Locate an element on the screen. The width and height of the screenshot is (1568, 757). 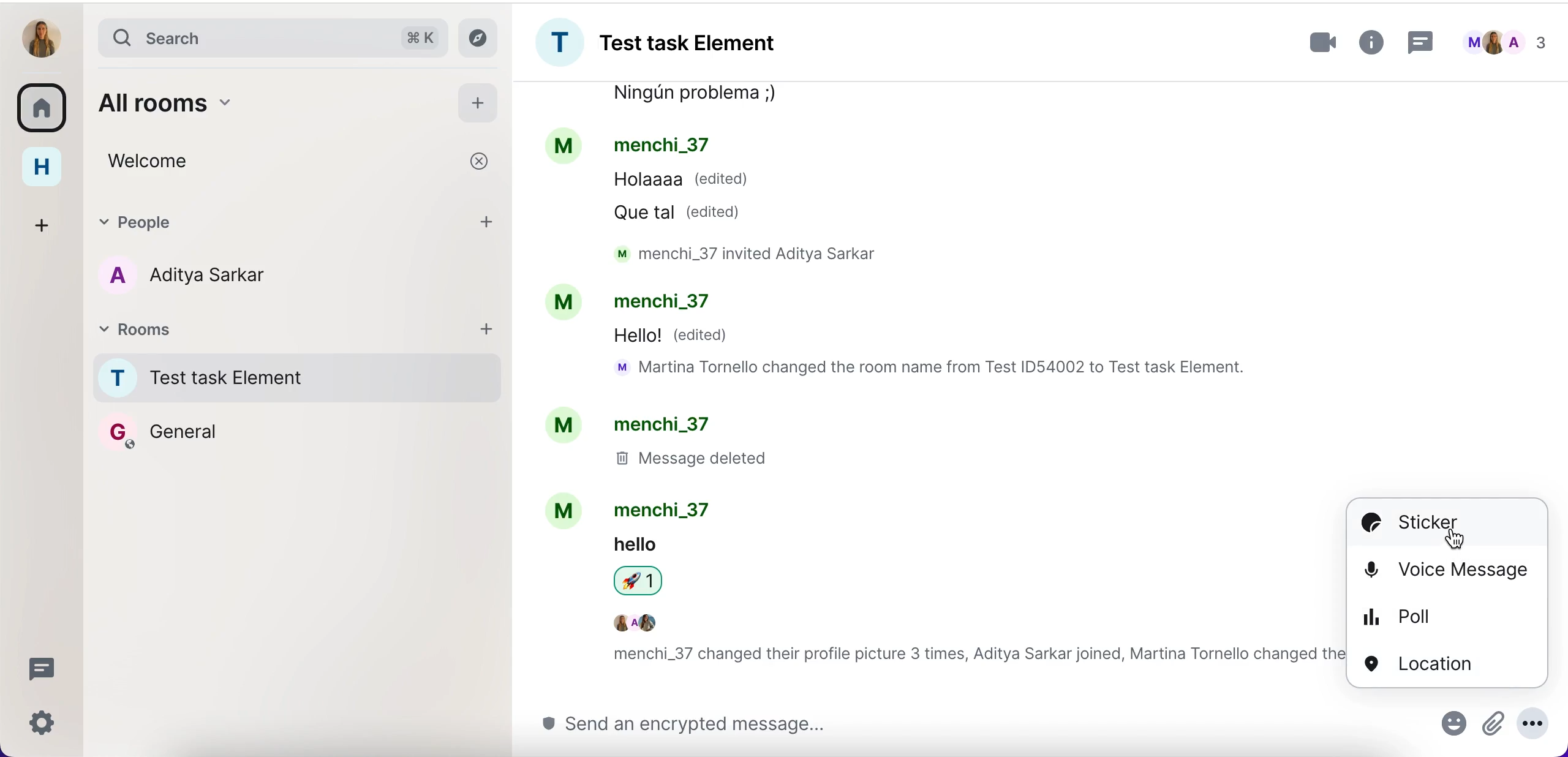
rooms is located at coordinates (43, 107).